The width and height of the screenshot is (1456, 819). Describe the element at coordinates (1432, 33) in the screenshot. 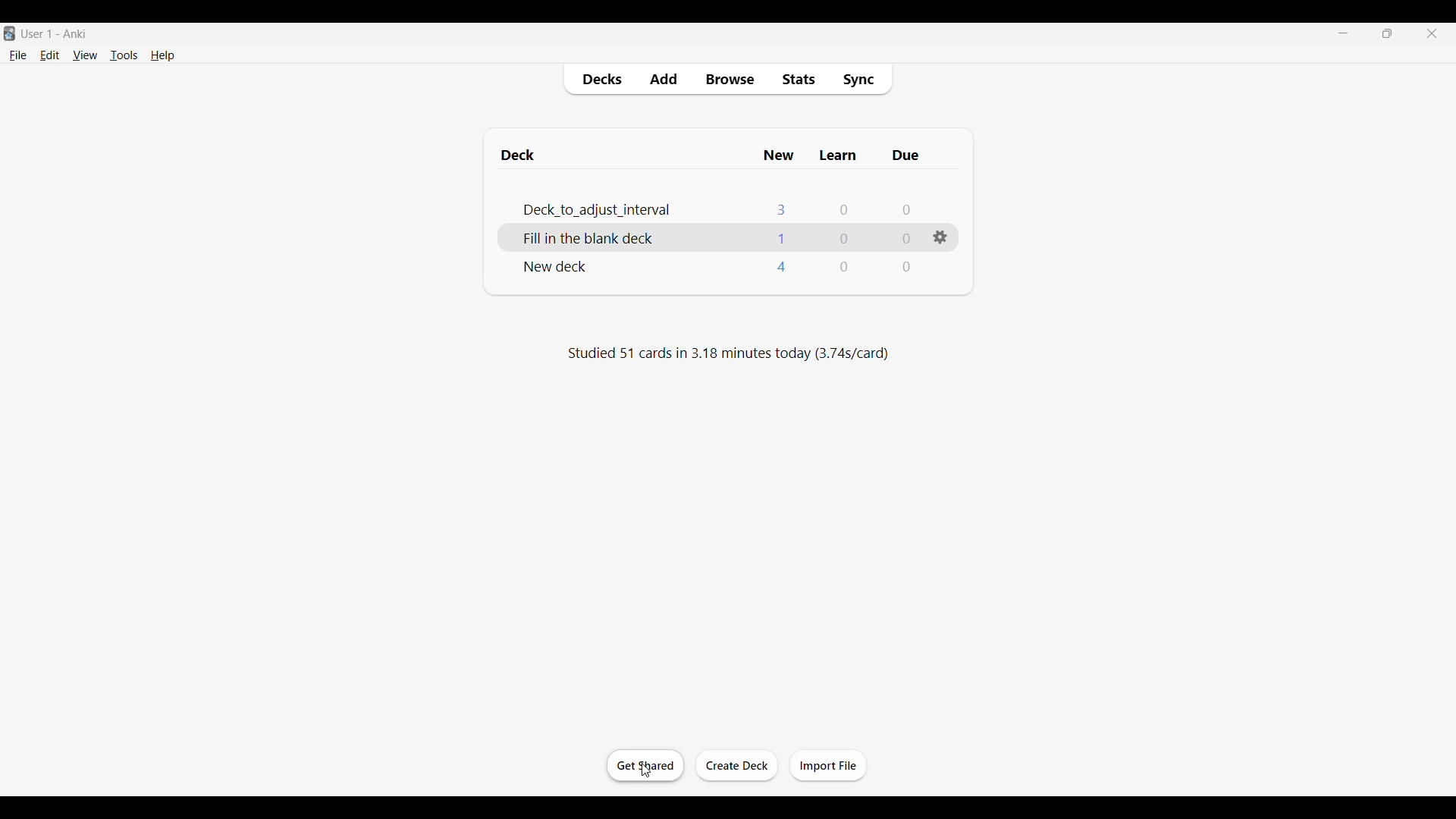

I see `Close interface` at that location.